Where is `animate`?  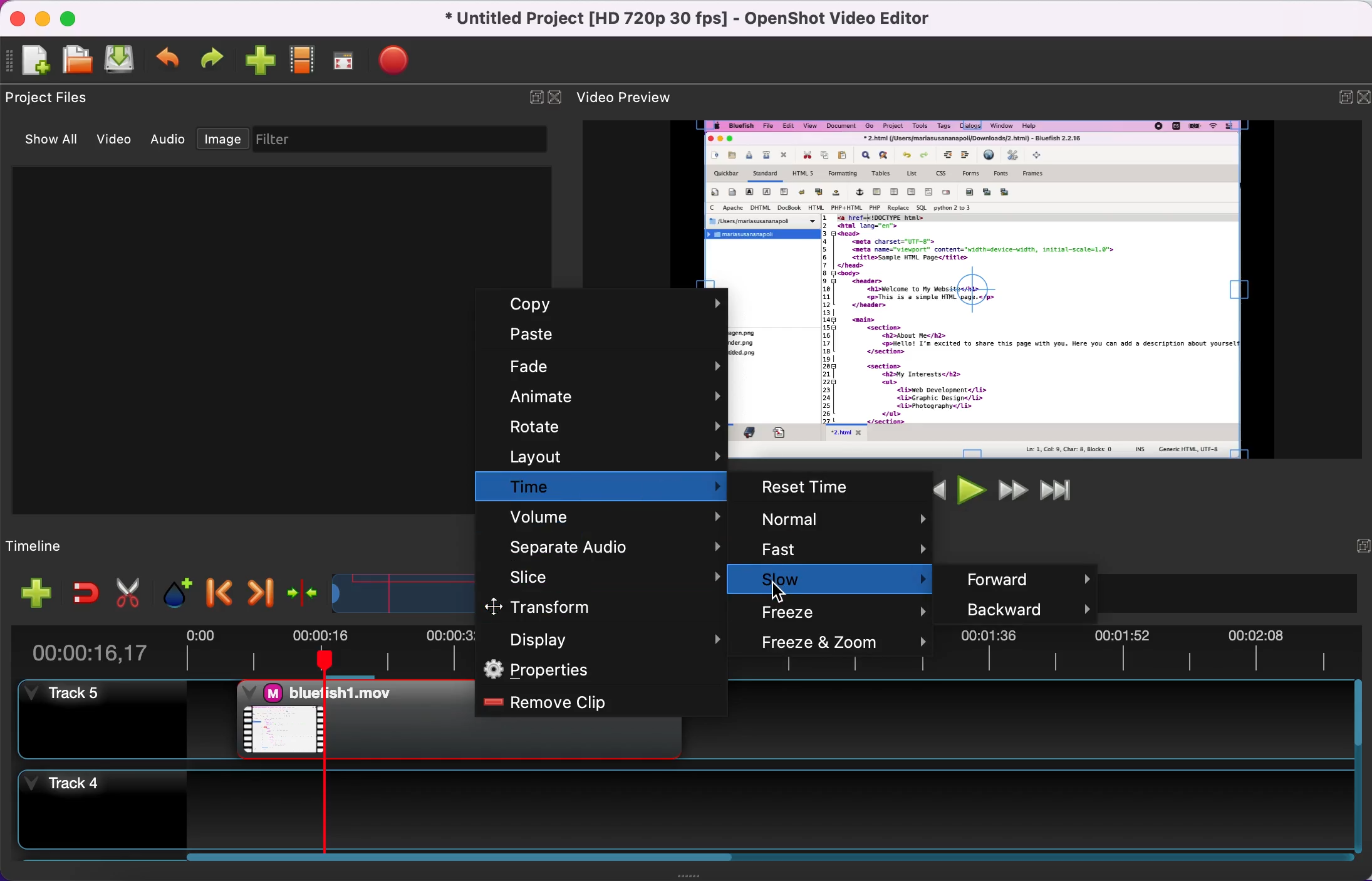
animate is located at coordinates (598, 396).